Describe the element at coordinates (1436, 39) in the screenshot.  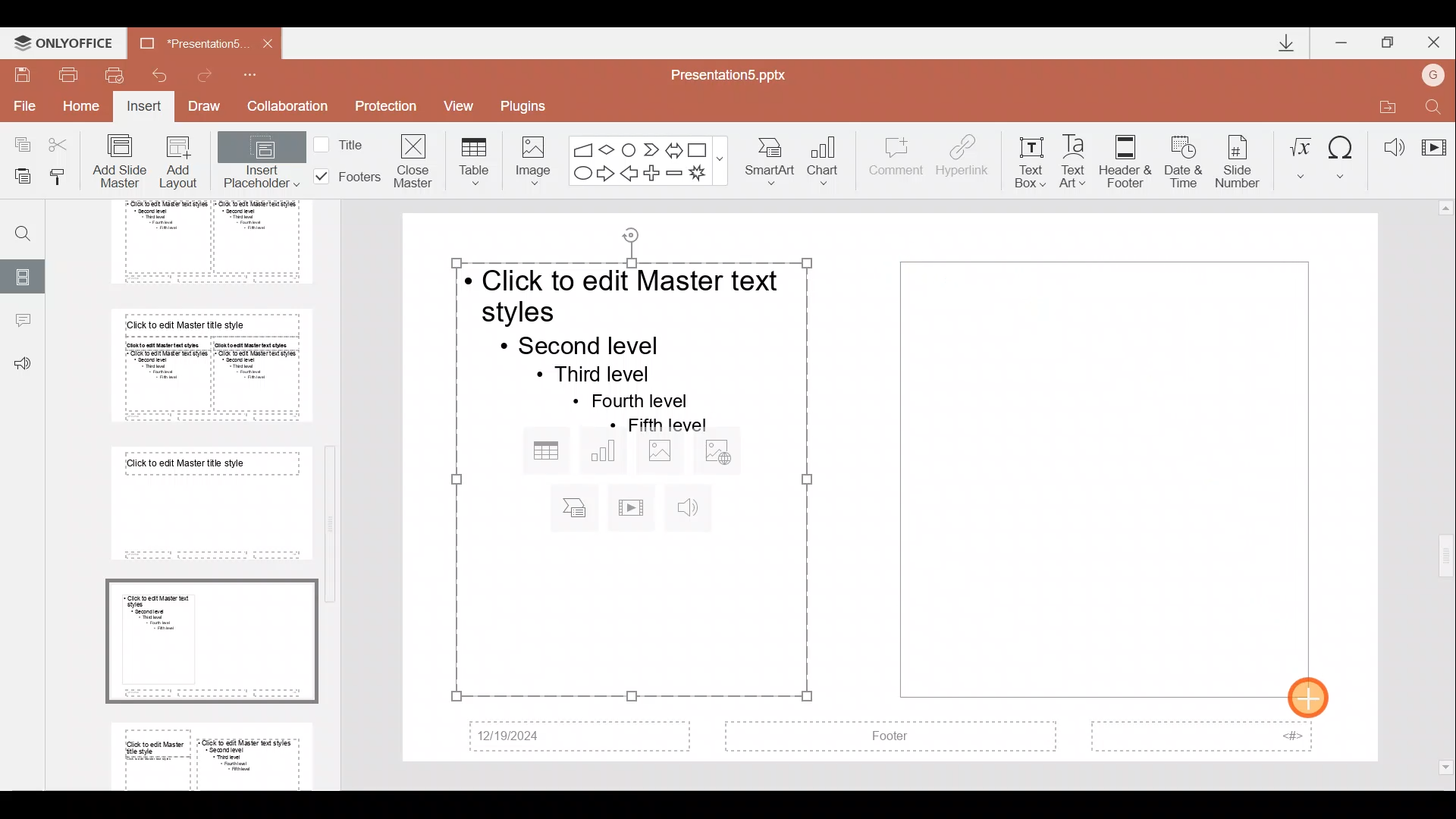
I see `Close` at that location.